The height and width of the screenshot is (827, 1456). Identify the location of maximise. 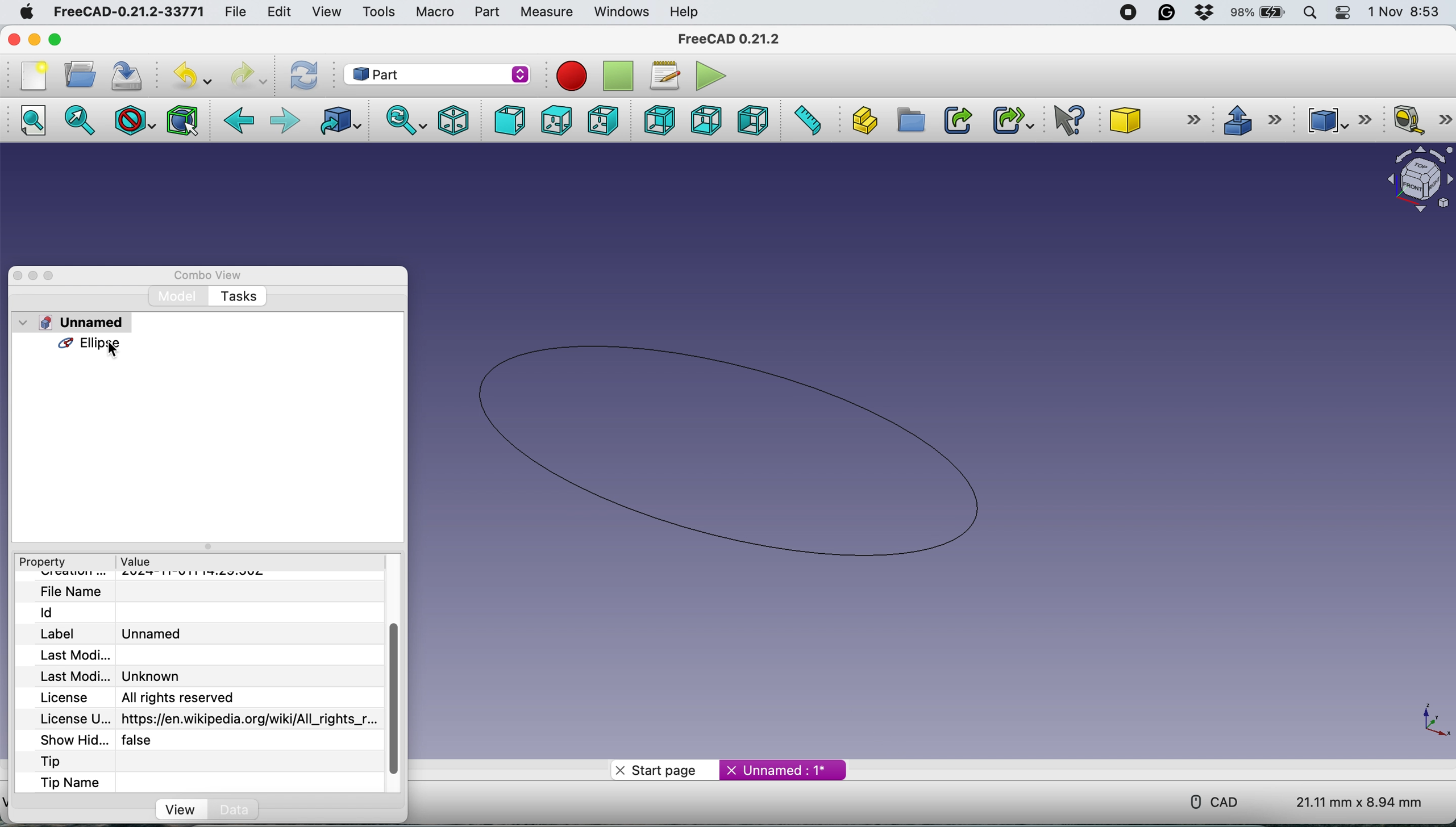
(53, 278).